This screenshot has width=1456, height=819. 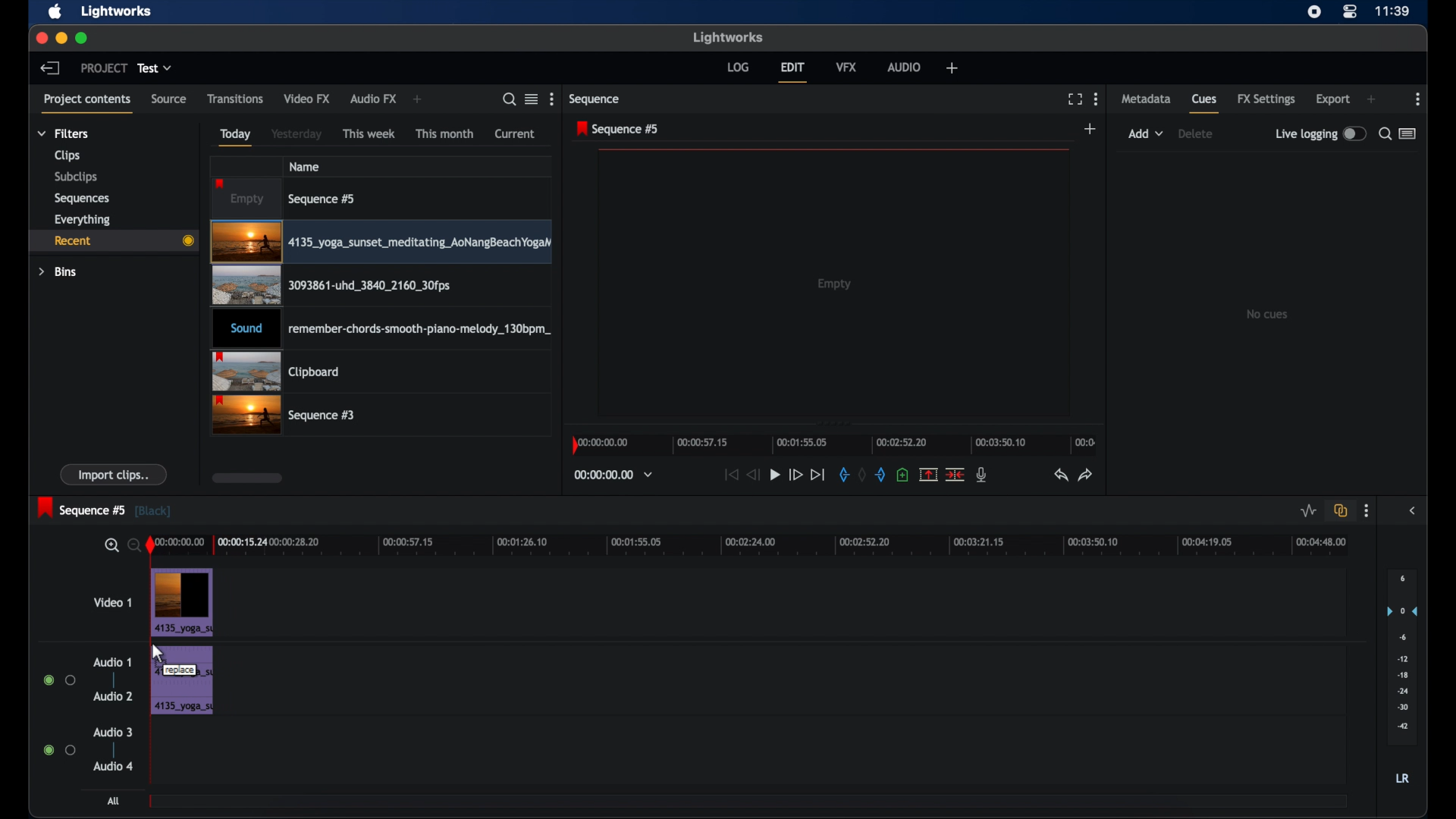 I want to click on fast forward, so click(x=795, y=475).